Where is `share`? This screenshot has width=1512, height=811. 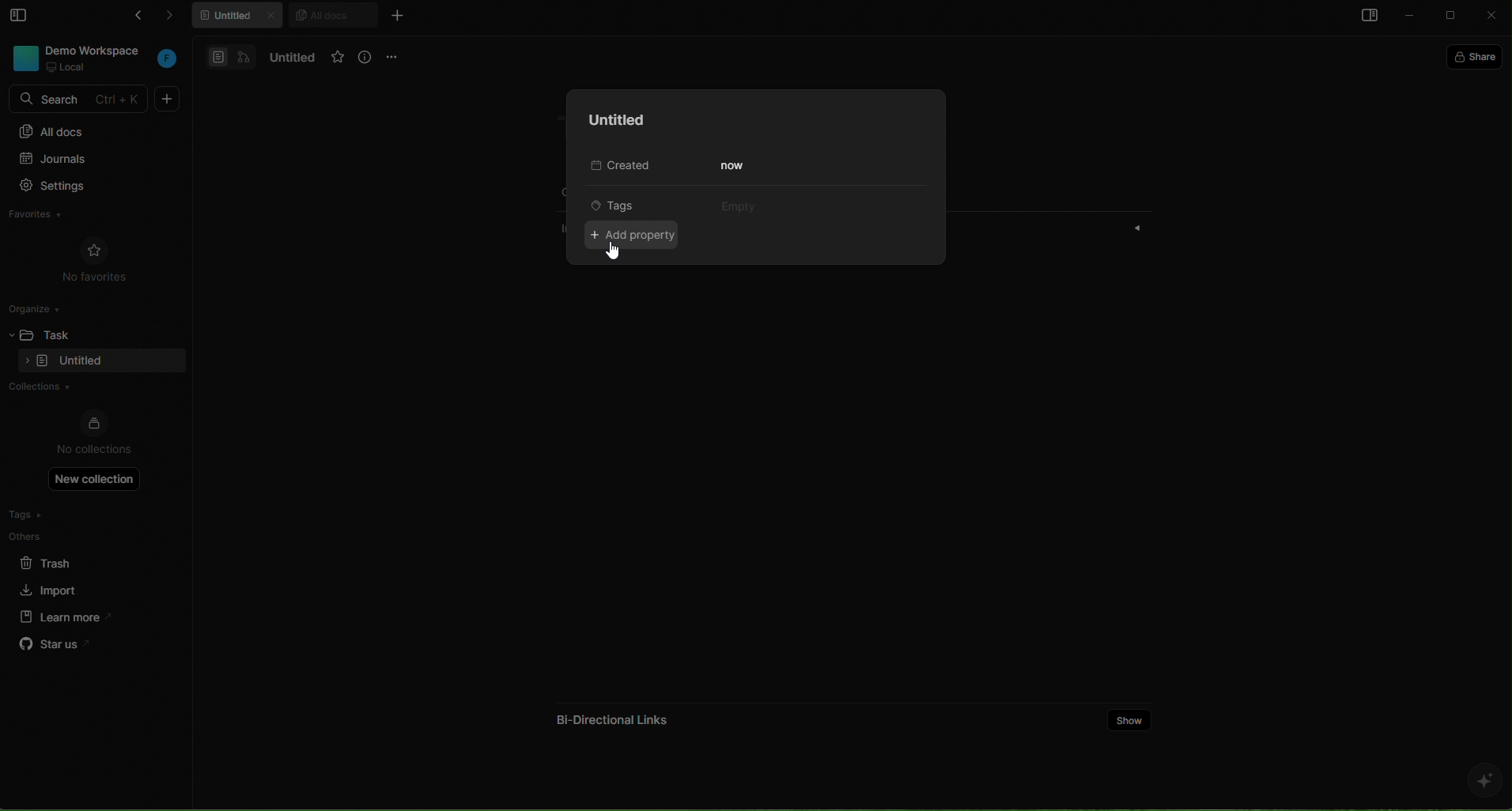
share is located at coordinates (1478, 55).